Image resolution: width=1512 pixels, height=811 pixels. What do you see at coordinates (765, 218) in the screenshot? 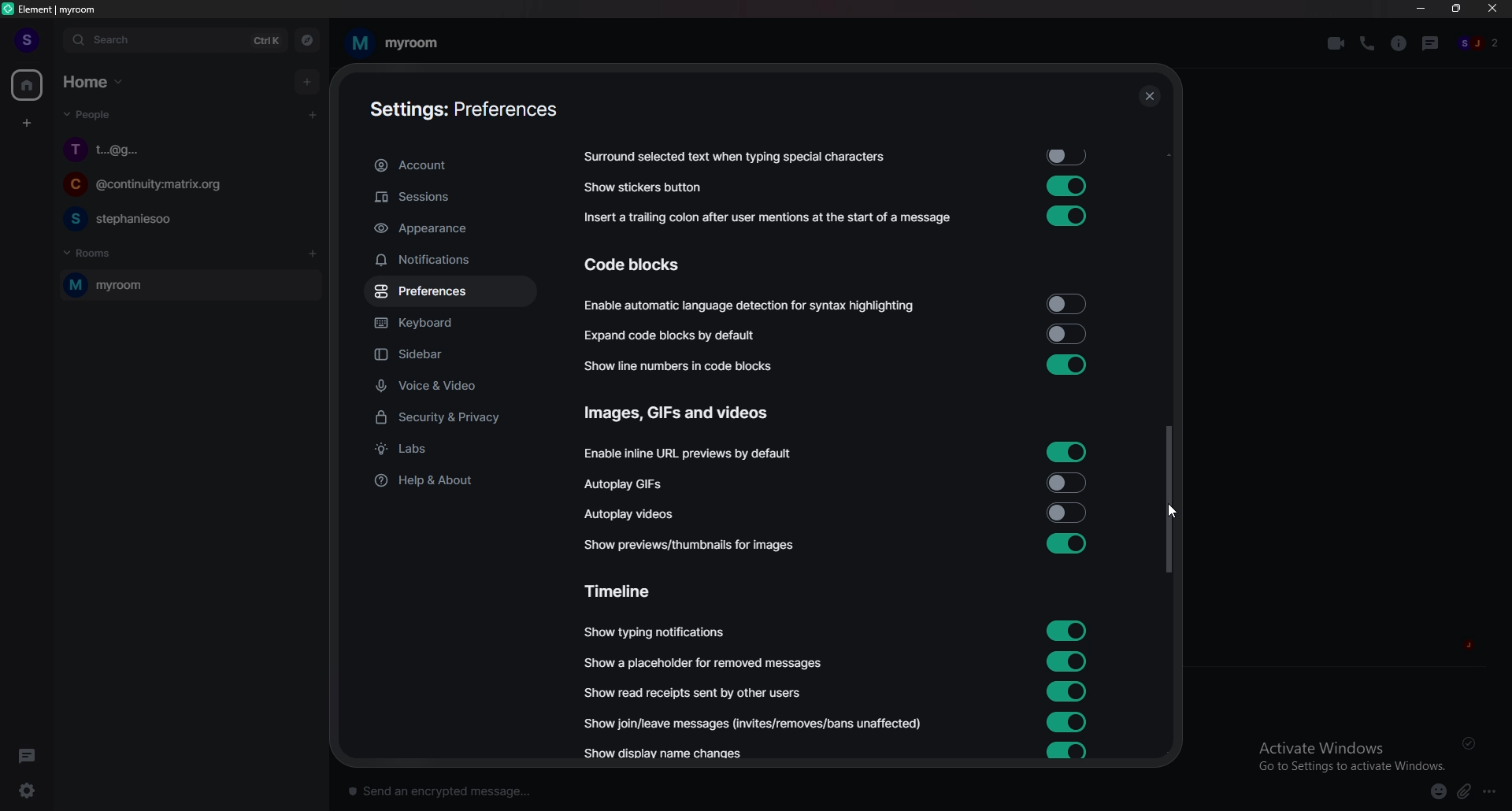
I see `insert and trailing colon` at bounding box center [765, 218].